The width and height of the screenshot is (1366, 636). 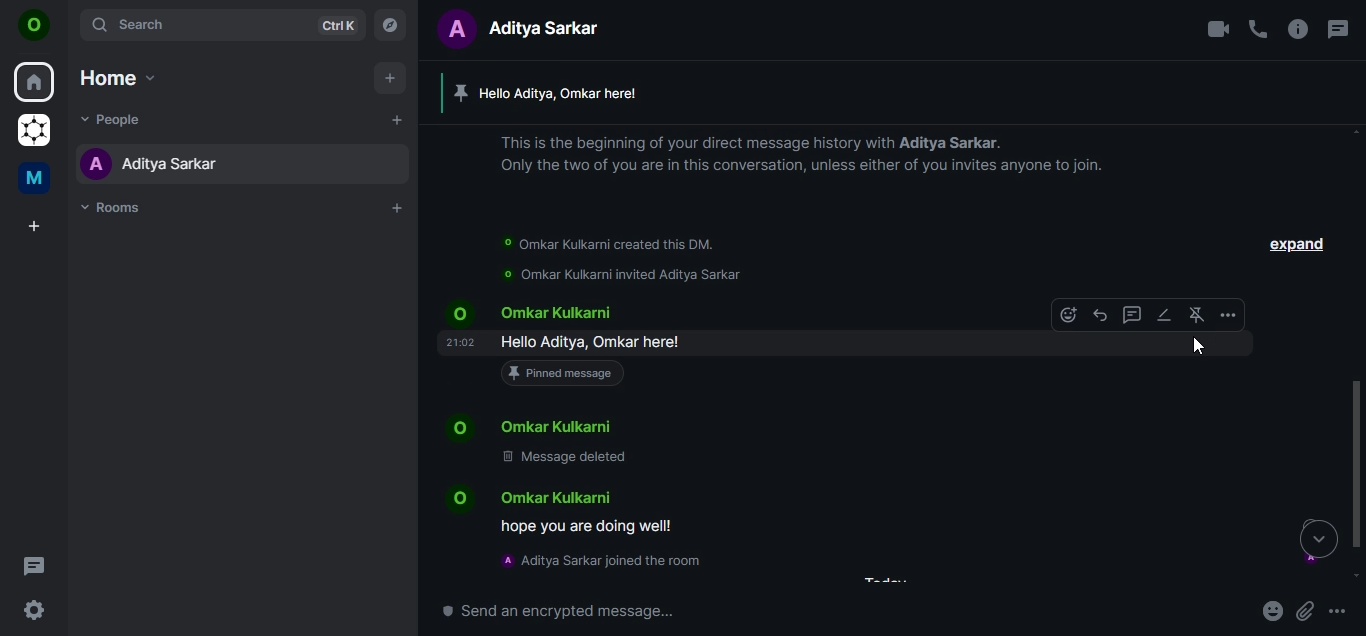 What do you see at coordinates (1218, 29) in the screenshot?
I see `video call` at bounding box center [1218, 29].